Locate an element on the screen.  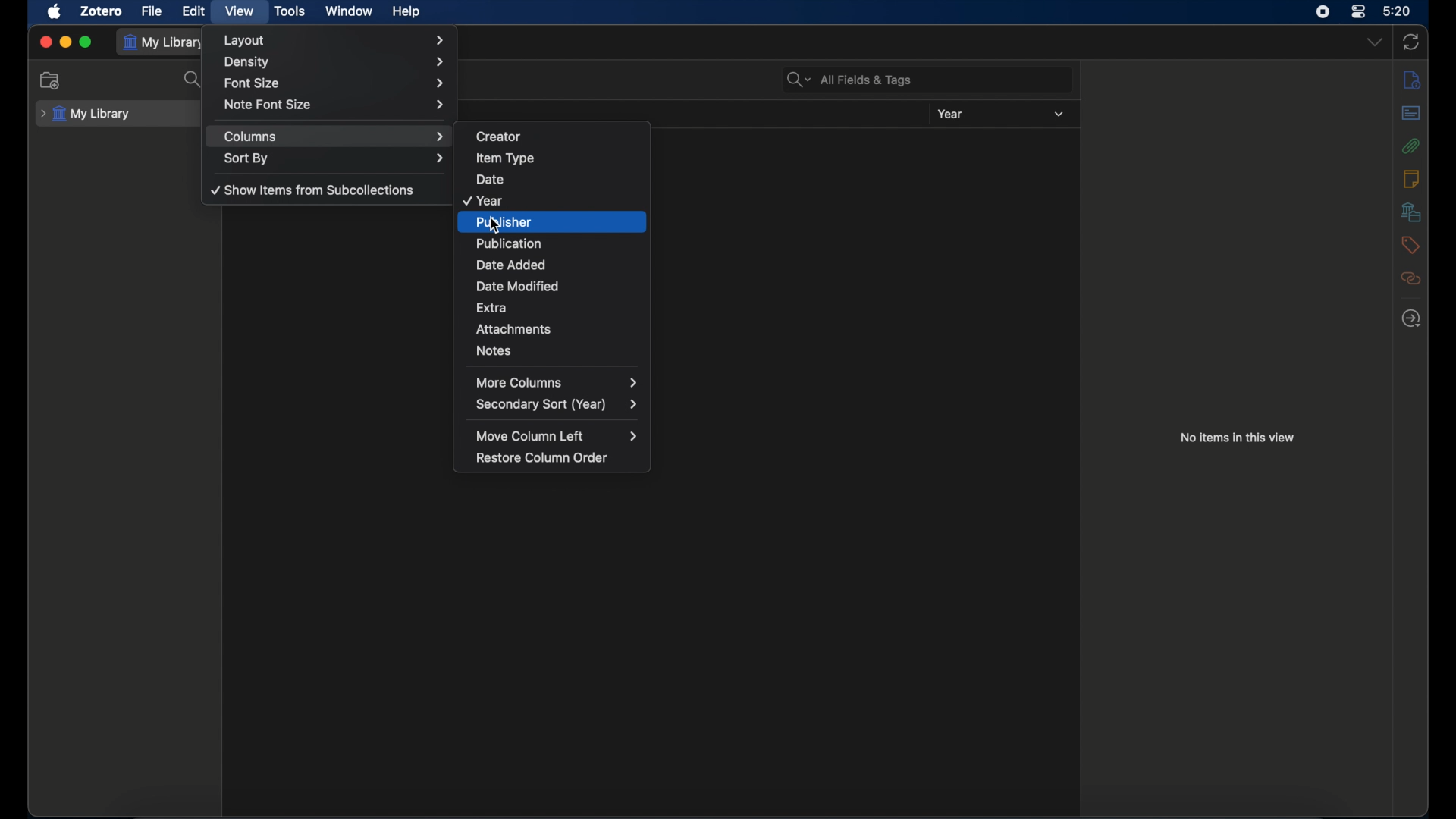
secondary sort is located at coordinates (557, 405).